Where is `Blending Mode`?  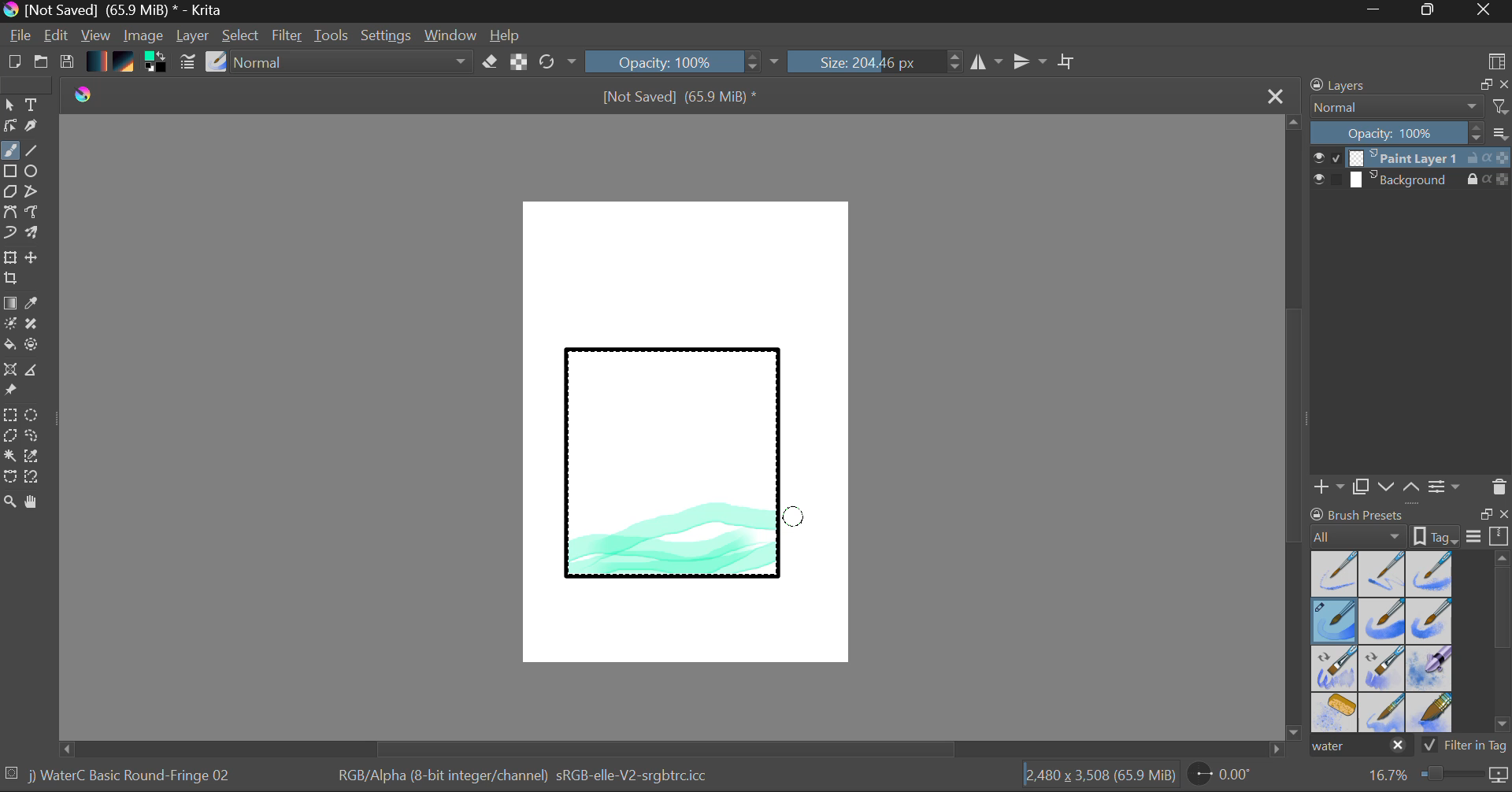
Blending Mode is located at coordinates (1410, 107).